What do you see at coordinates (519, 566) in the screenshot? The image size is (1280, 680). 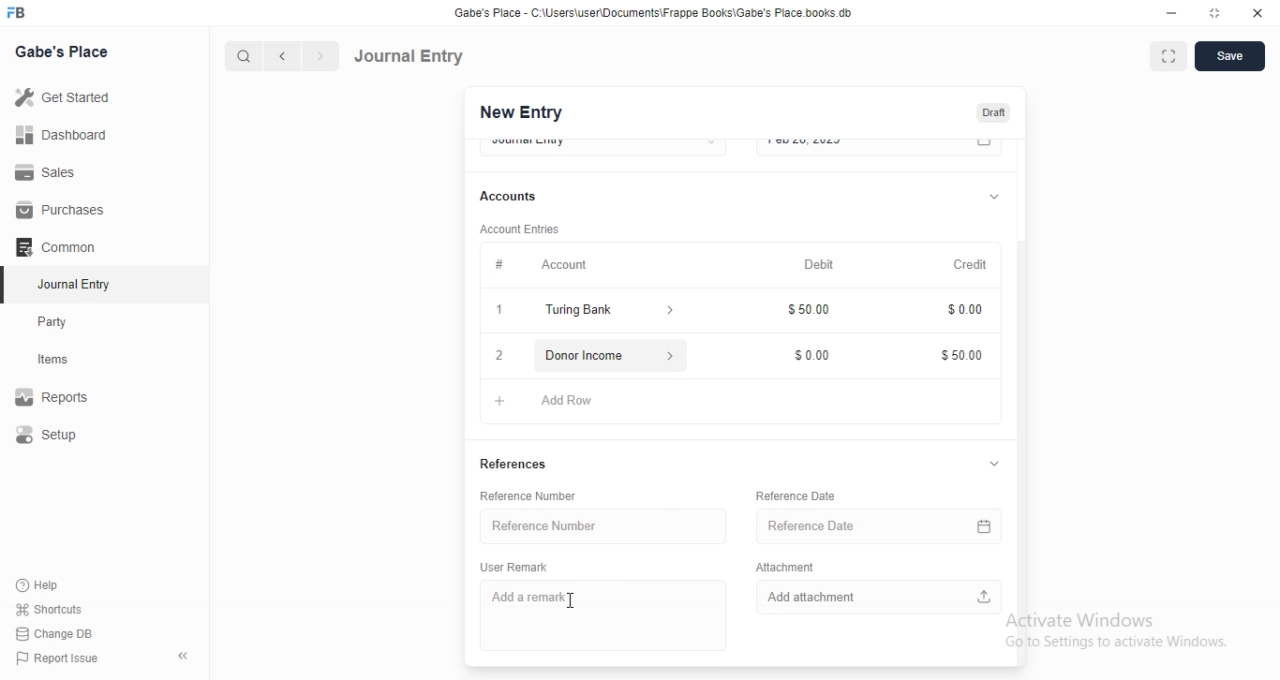 I see `User Remark` at bounding box center [519, 566].